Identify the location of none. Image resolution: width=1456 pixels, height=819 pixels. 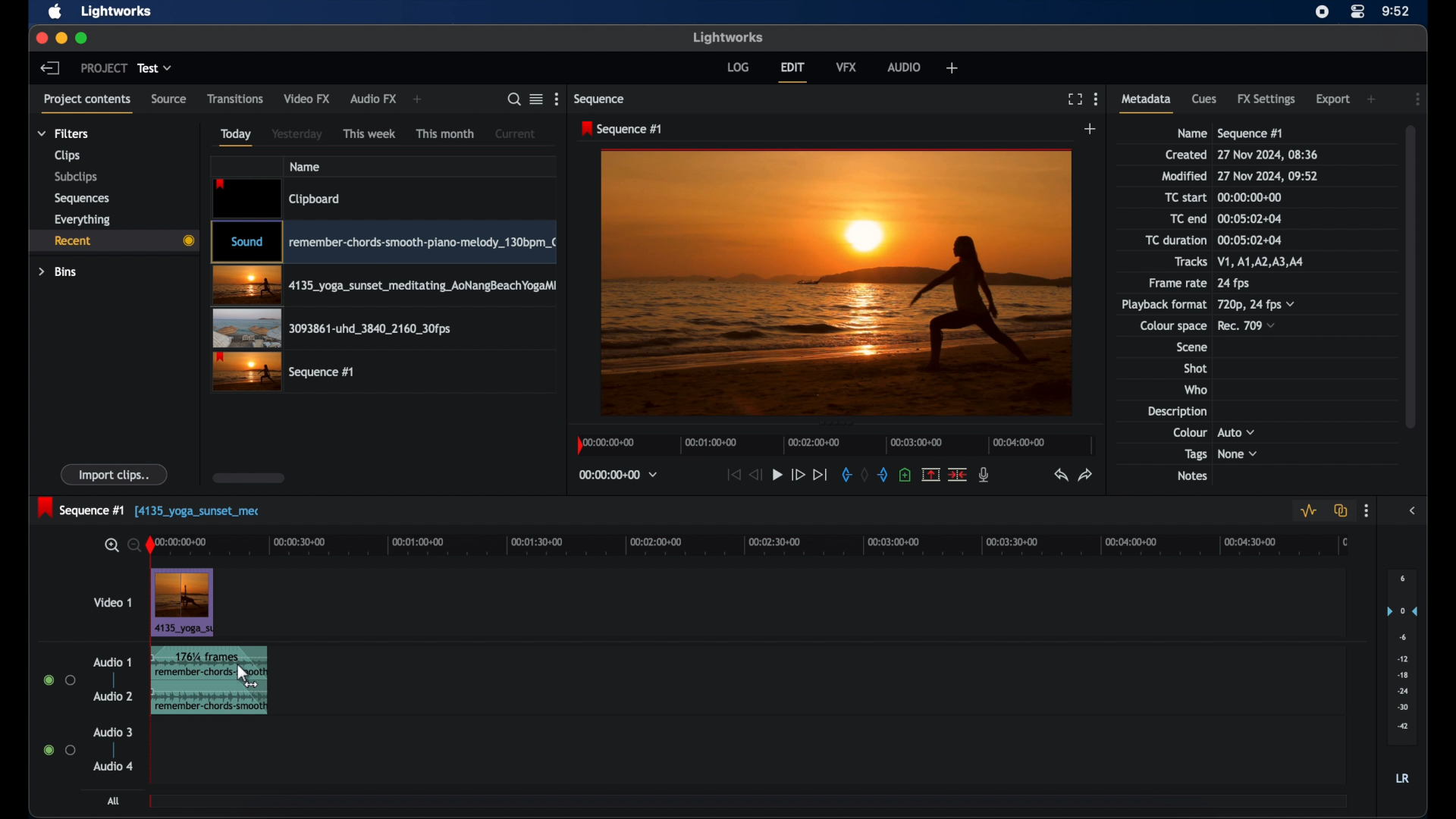
(1238, 454).